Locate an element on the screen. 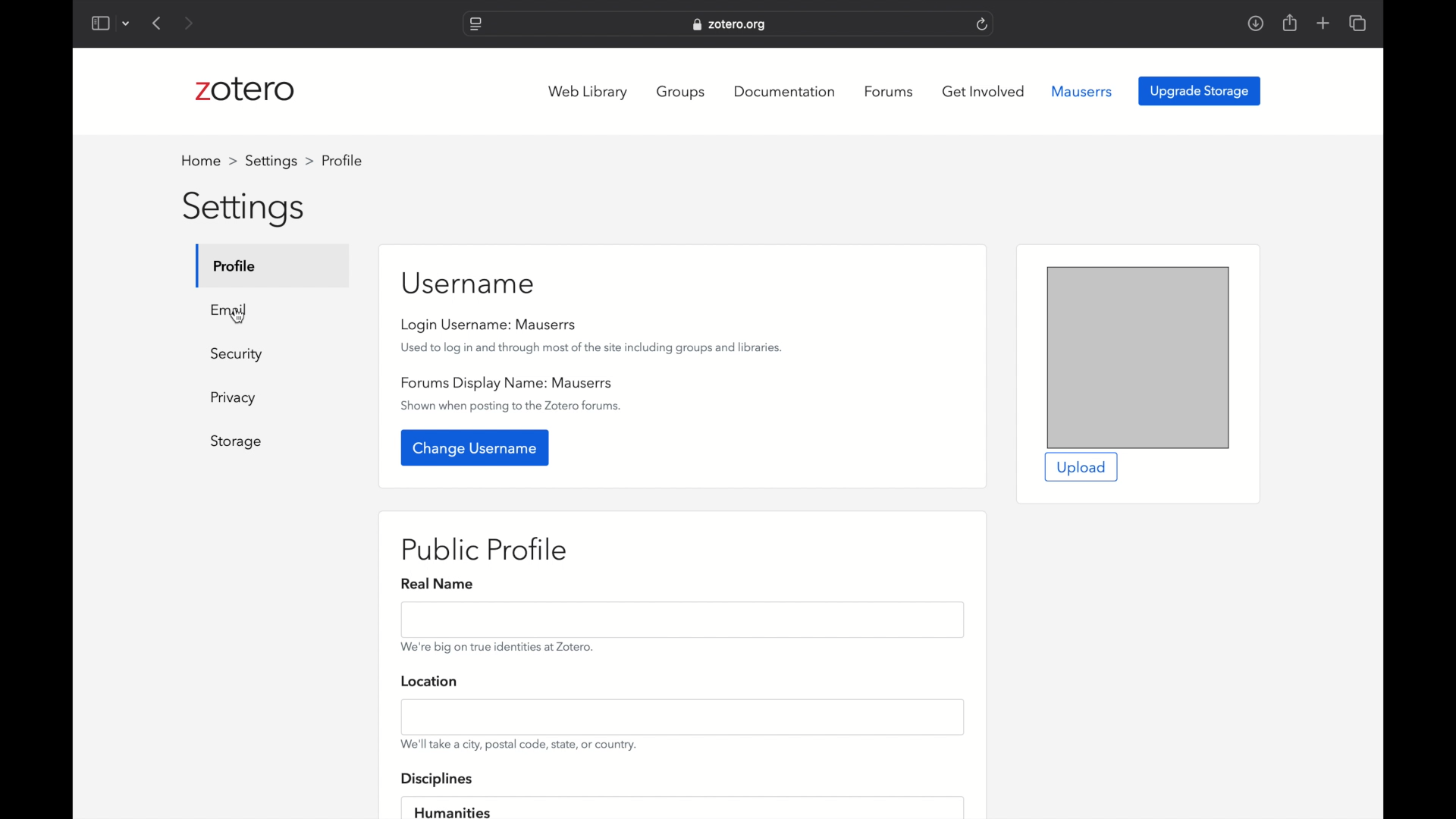  We're big on our identities at zotero is located at coordinates (497, 647).